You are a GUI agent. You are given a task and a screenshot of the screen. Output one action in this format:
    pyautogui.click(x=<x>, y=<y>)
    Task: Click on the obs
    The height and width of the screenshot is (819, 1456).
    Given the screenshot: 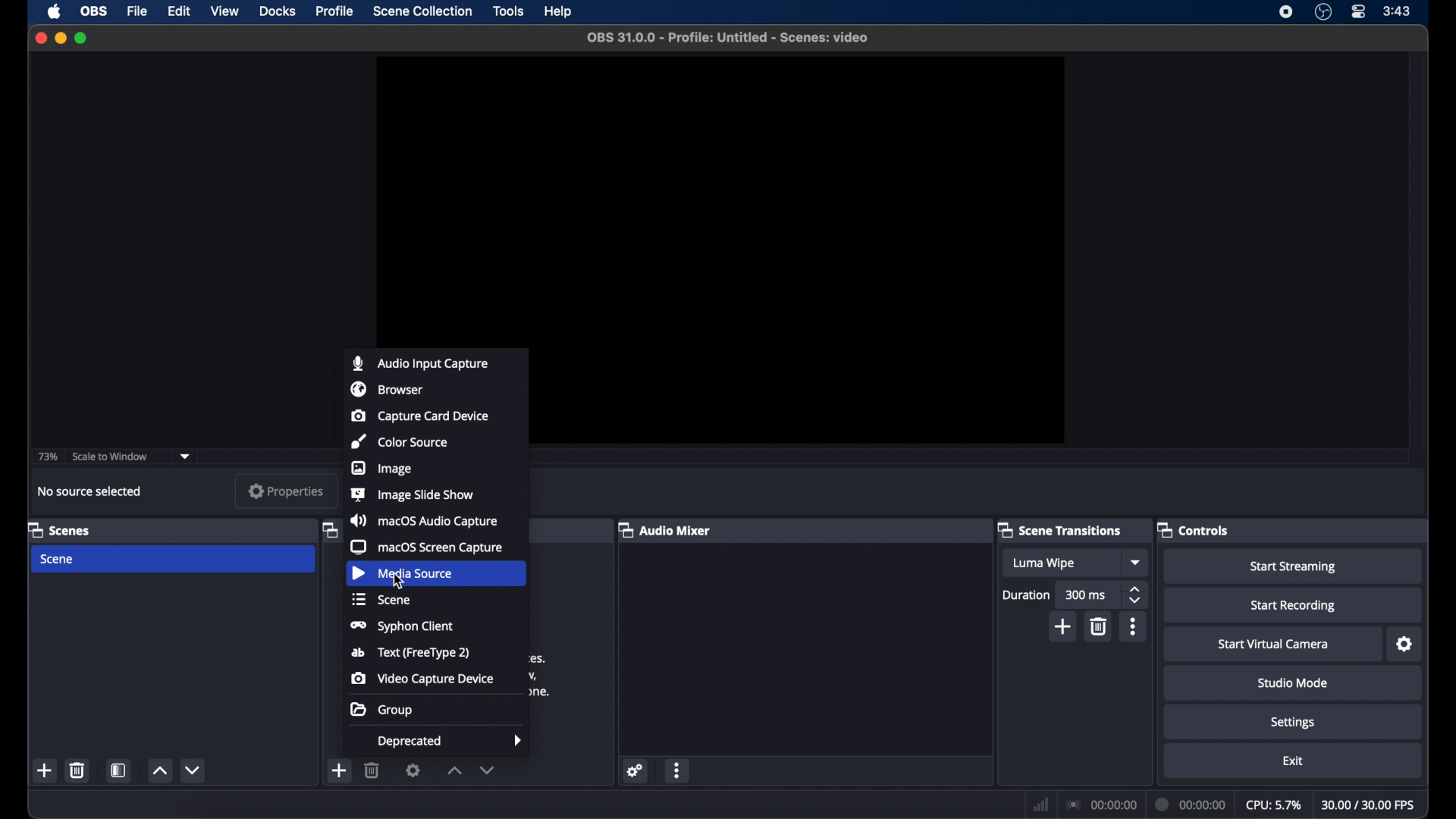 What is the action you would take?
    pyautogui.click(x=94, y=11)
    